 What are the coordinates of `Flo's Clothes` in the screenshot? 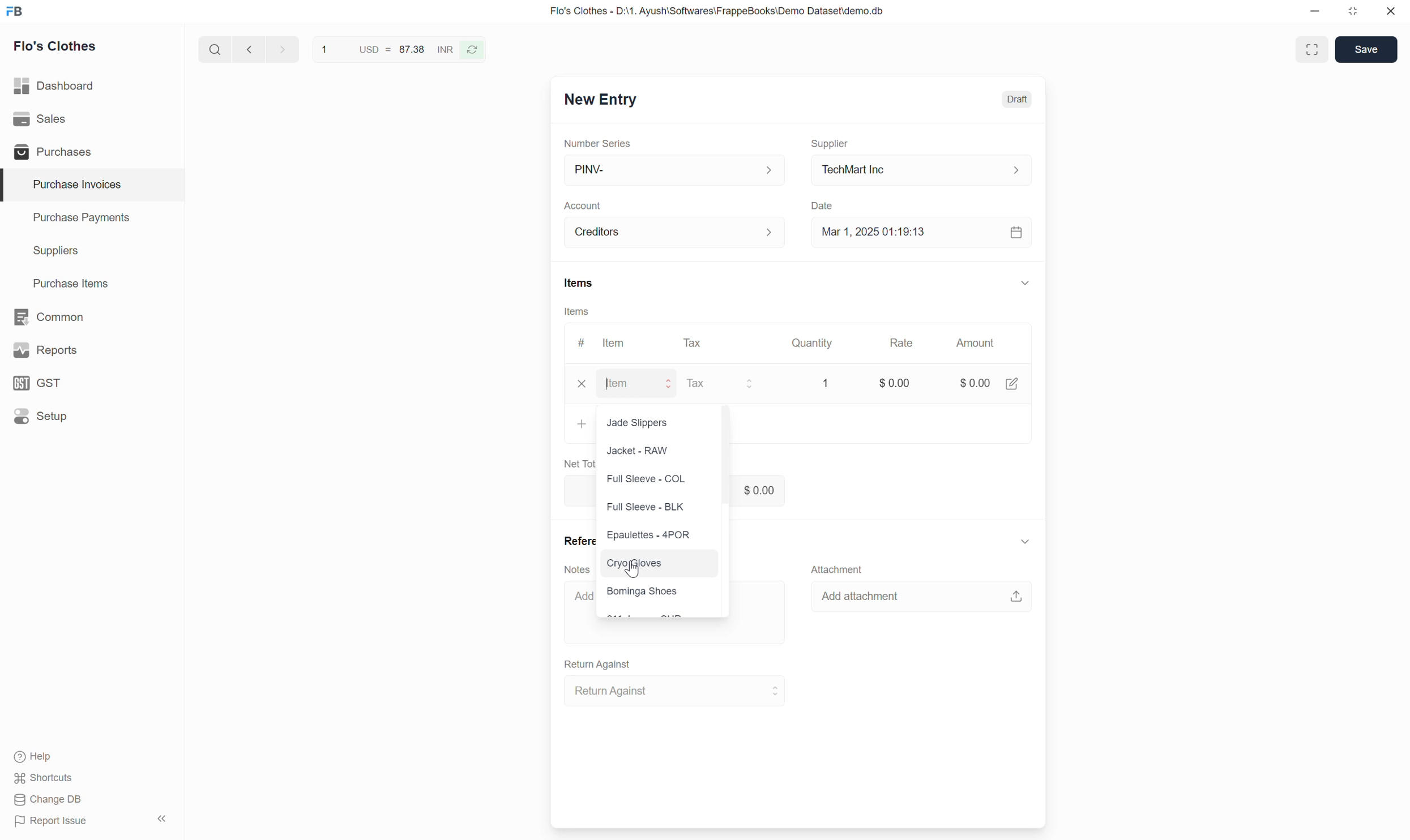 It's located at (57, 48).